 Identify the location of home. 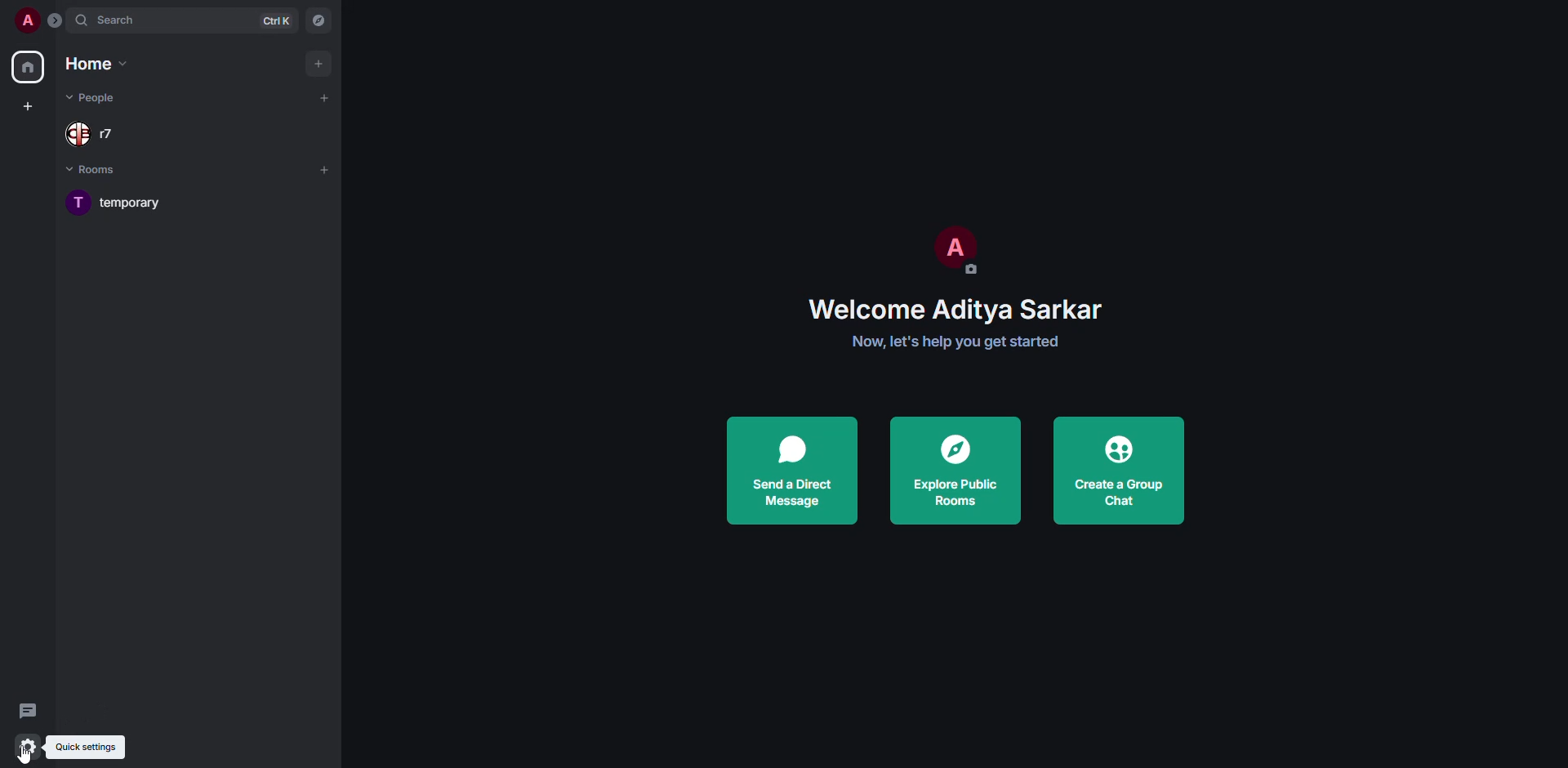
(30, 68).